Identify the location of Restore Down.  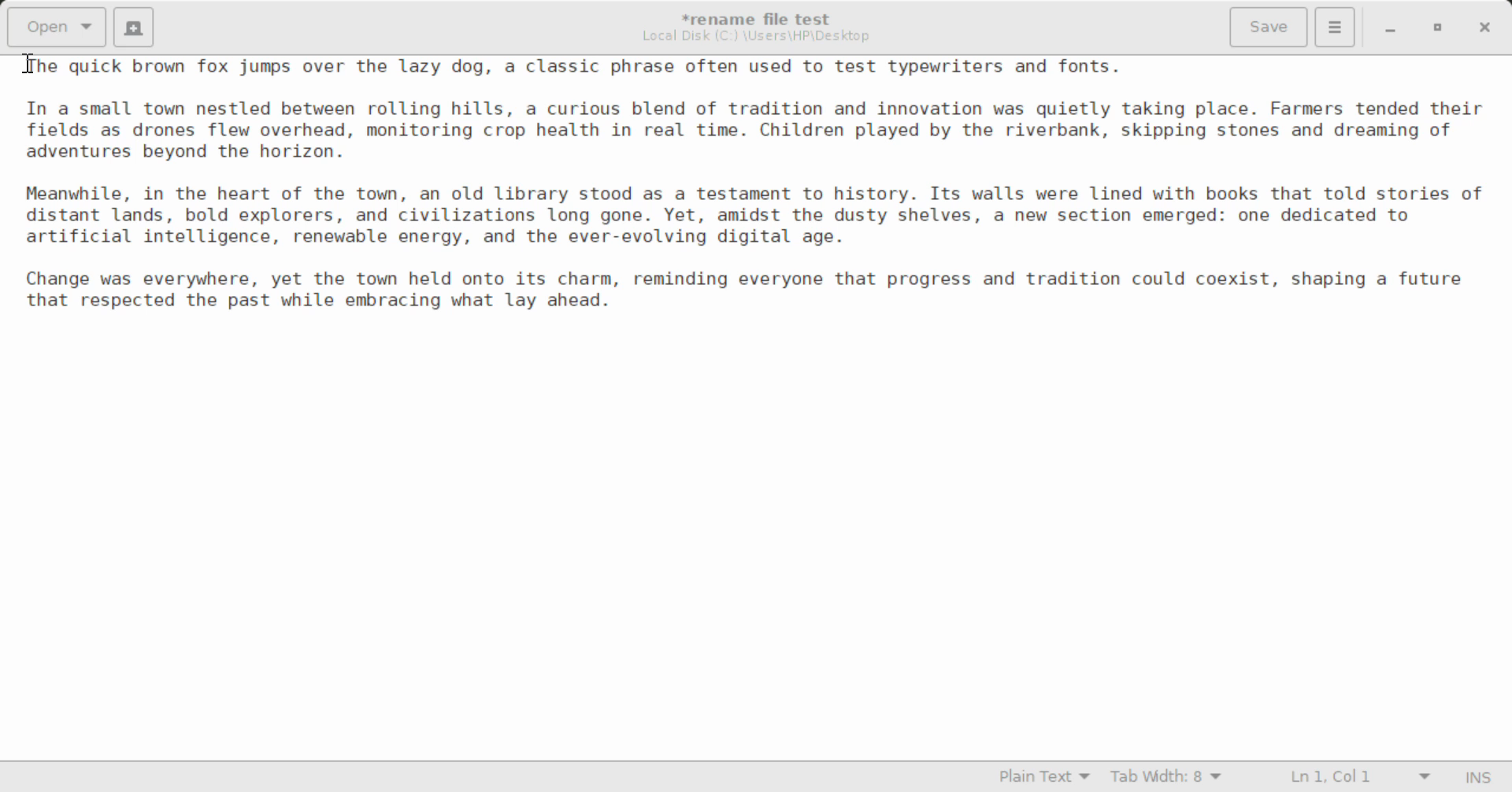
(1390, 29).